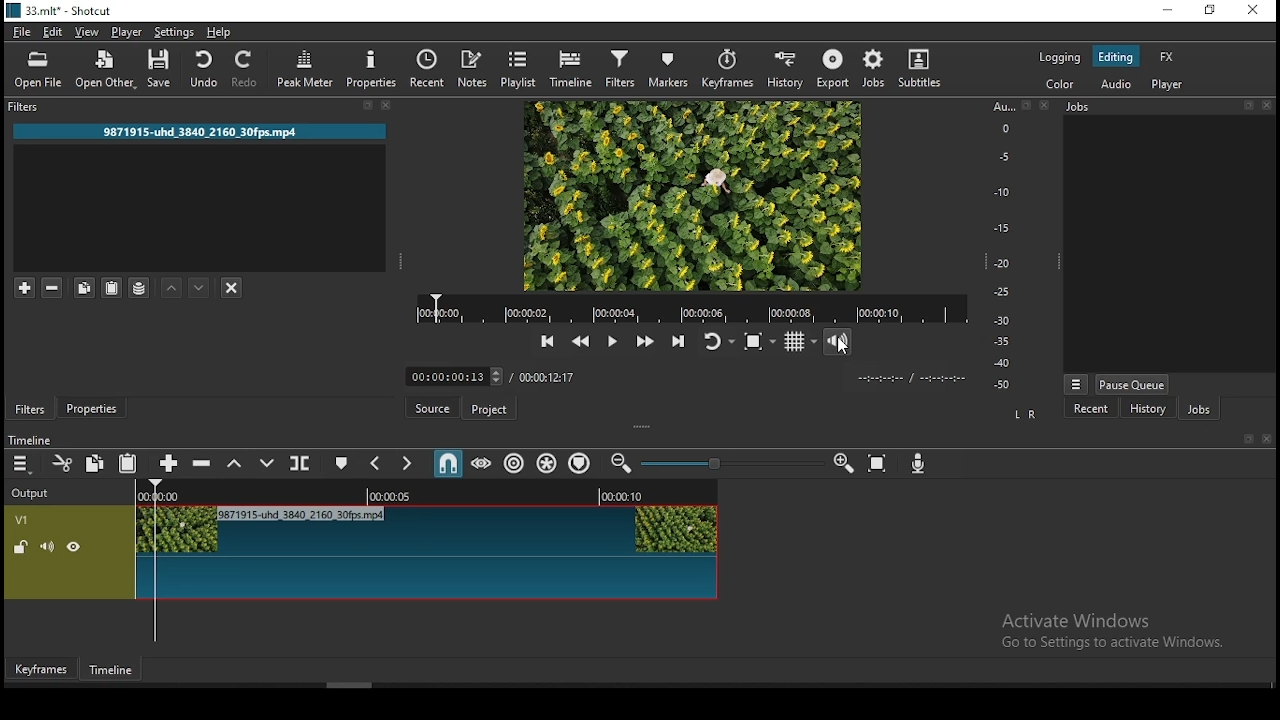 This screenshot has height=720, width=1280. I want to click on close, so click(1269, 109).